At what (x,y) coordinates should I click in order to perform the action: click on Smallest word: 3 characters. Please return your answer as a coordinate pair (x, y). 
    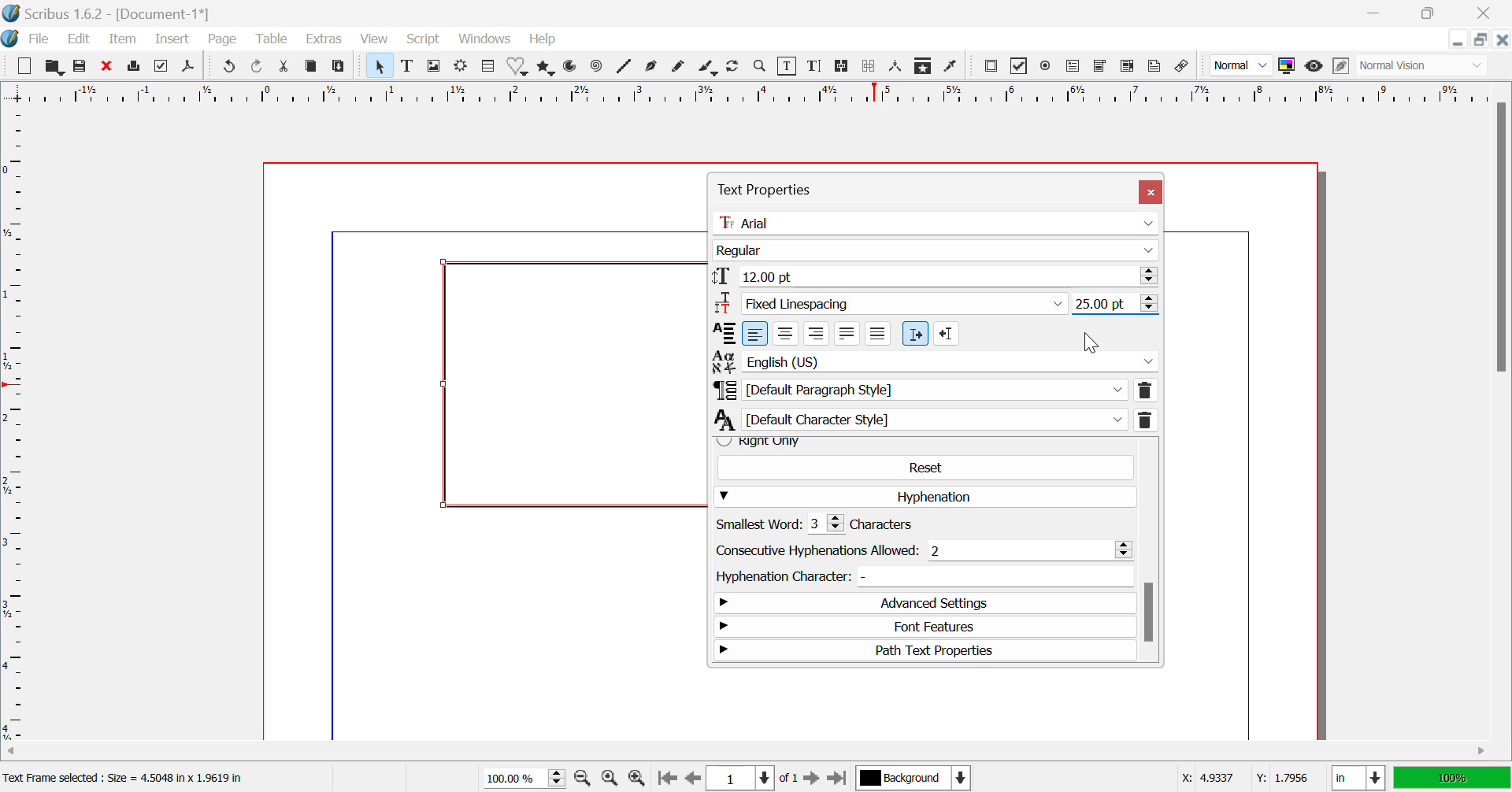
    Looking at the image, I should click on (832, 524).